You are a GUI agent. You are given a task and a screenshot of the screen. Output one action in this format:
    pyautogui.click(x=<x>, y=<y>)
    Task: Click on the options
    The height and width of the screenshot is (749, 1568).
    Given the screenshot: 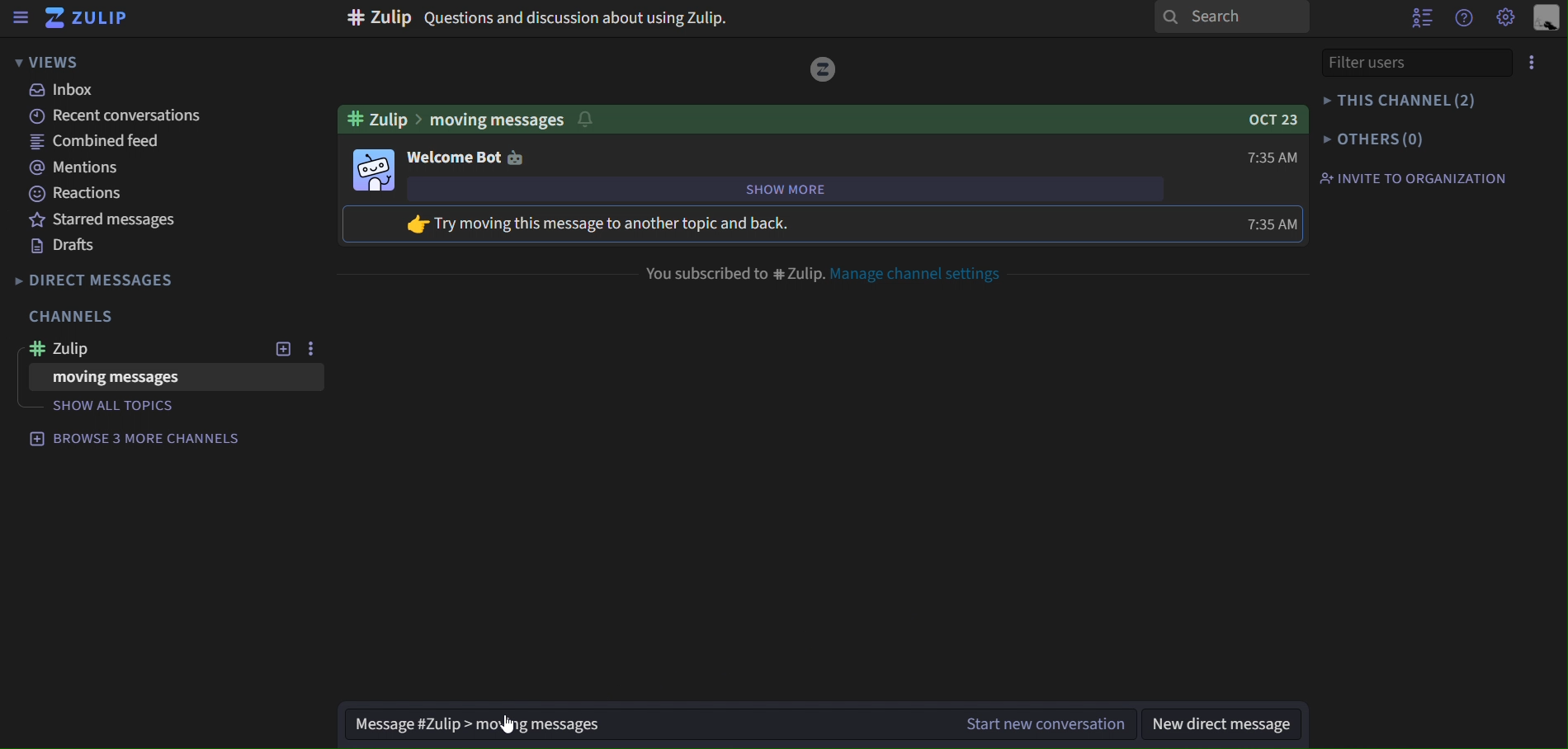 What is the action you would take?
    pyautogui.click(x=1535, y=64)
    